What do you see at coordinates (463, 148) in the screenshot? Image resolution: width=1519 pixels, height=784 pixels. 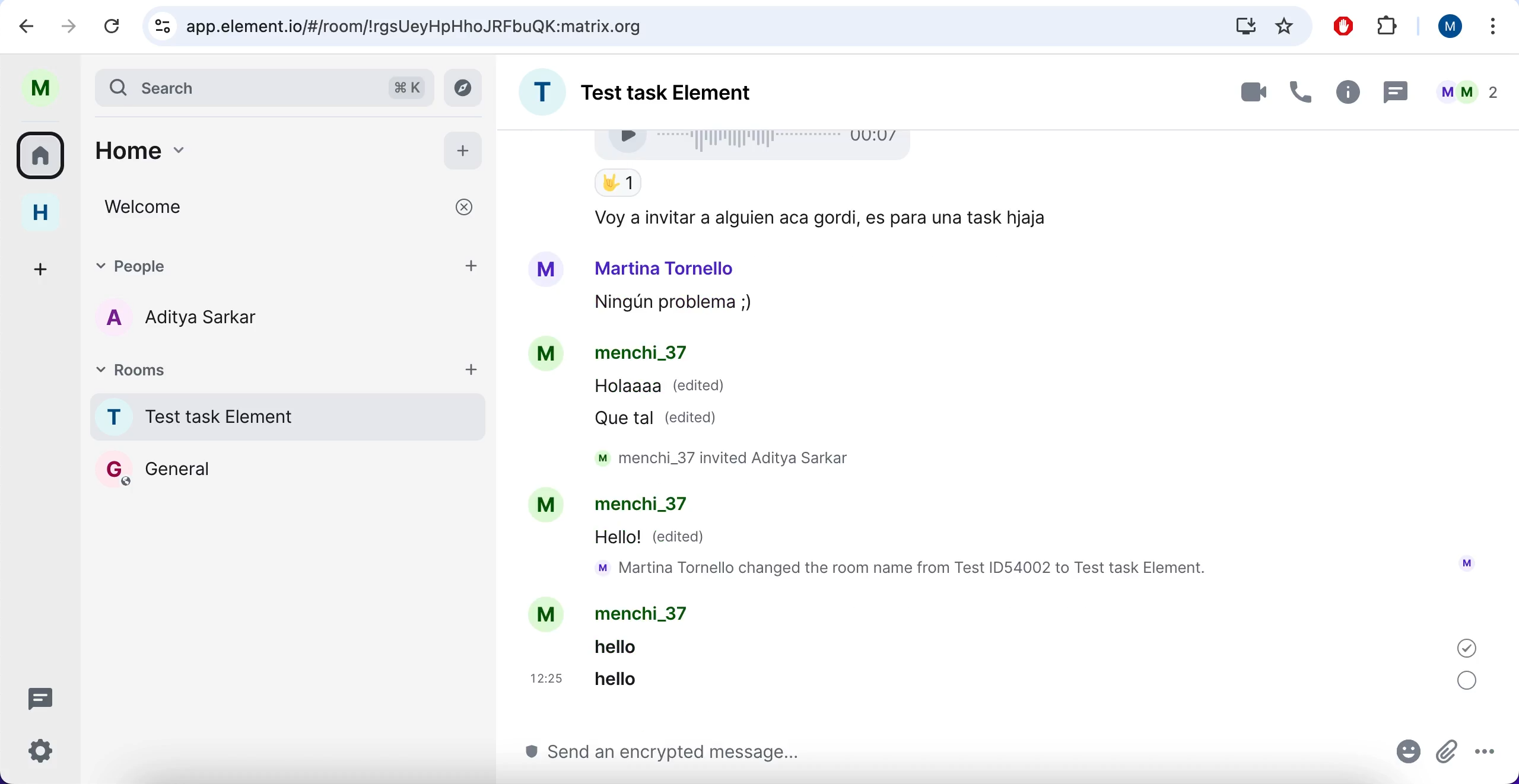 I see `add` at bounding box center [463, 148].